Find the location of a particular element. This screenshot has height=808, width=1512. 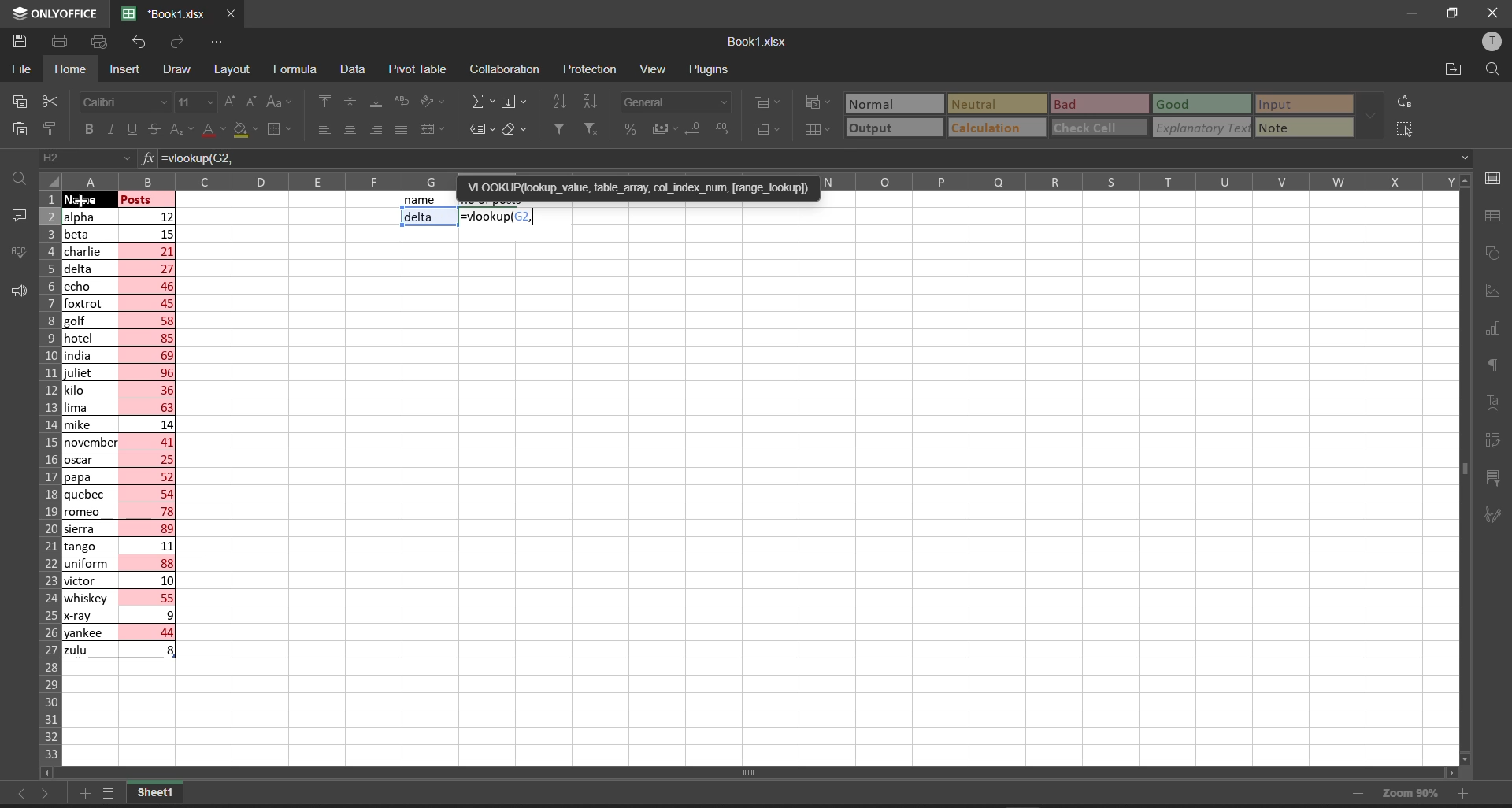

save is located at coordinates (19, 42).